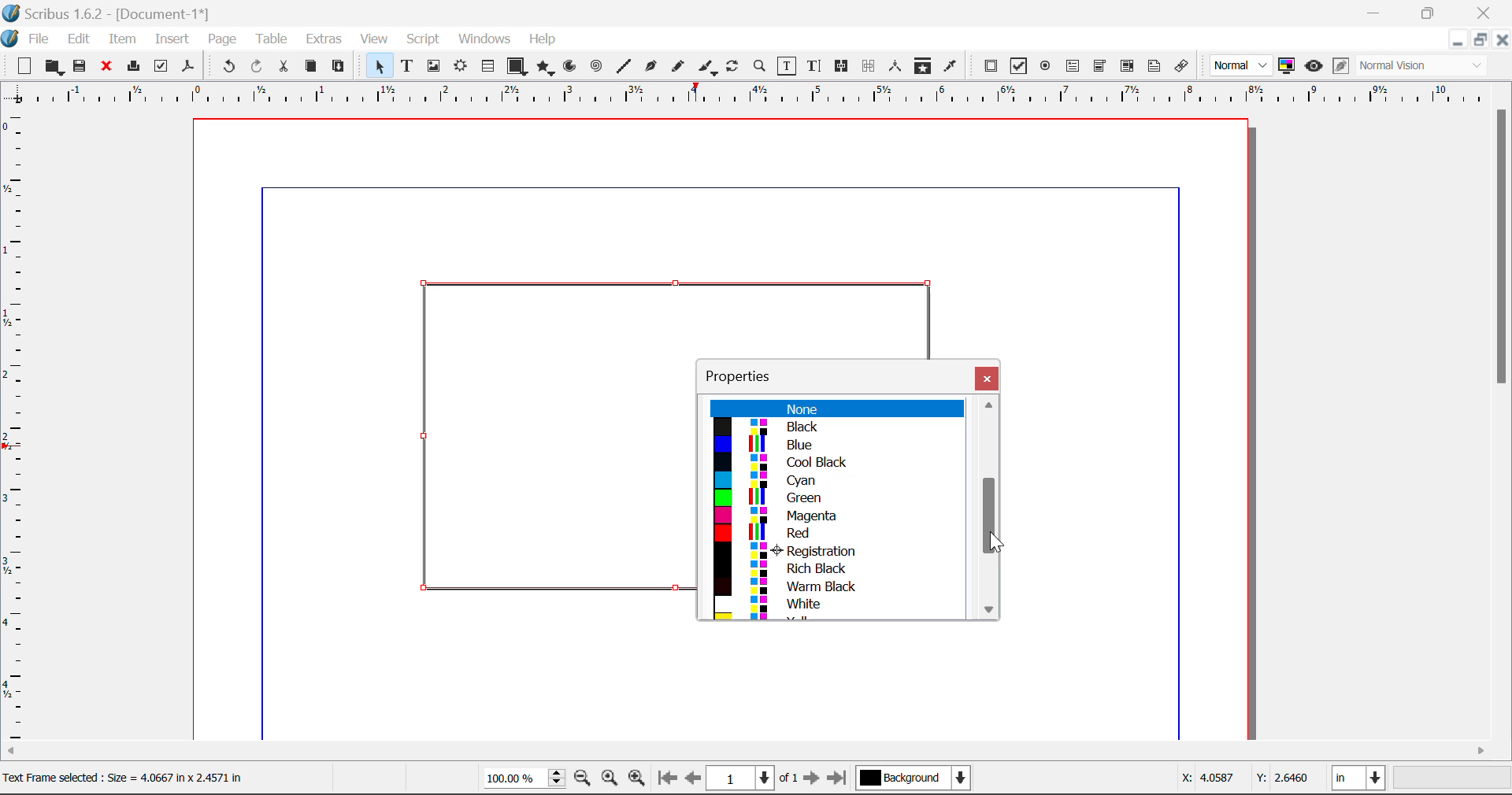 This screenshot has height=795, width=1512. I want to click on White, so click(838, 605).